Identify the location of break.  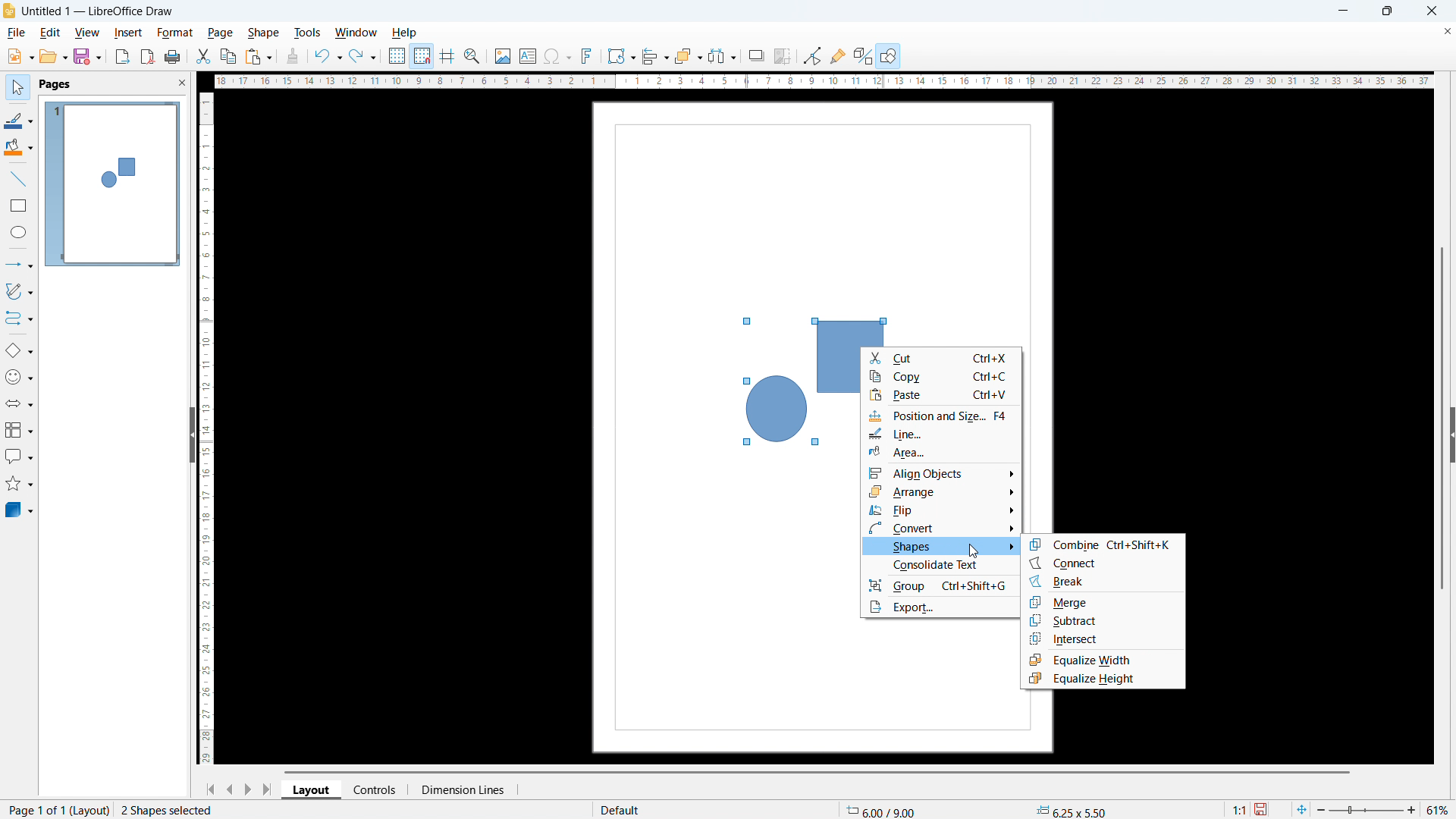
(1104, 582).